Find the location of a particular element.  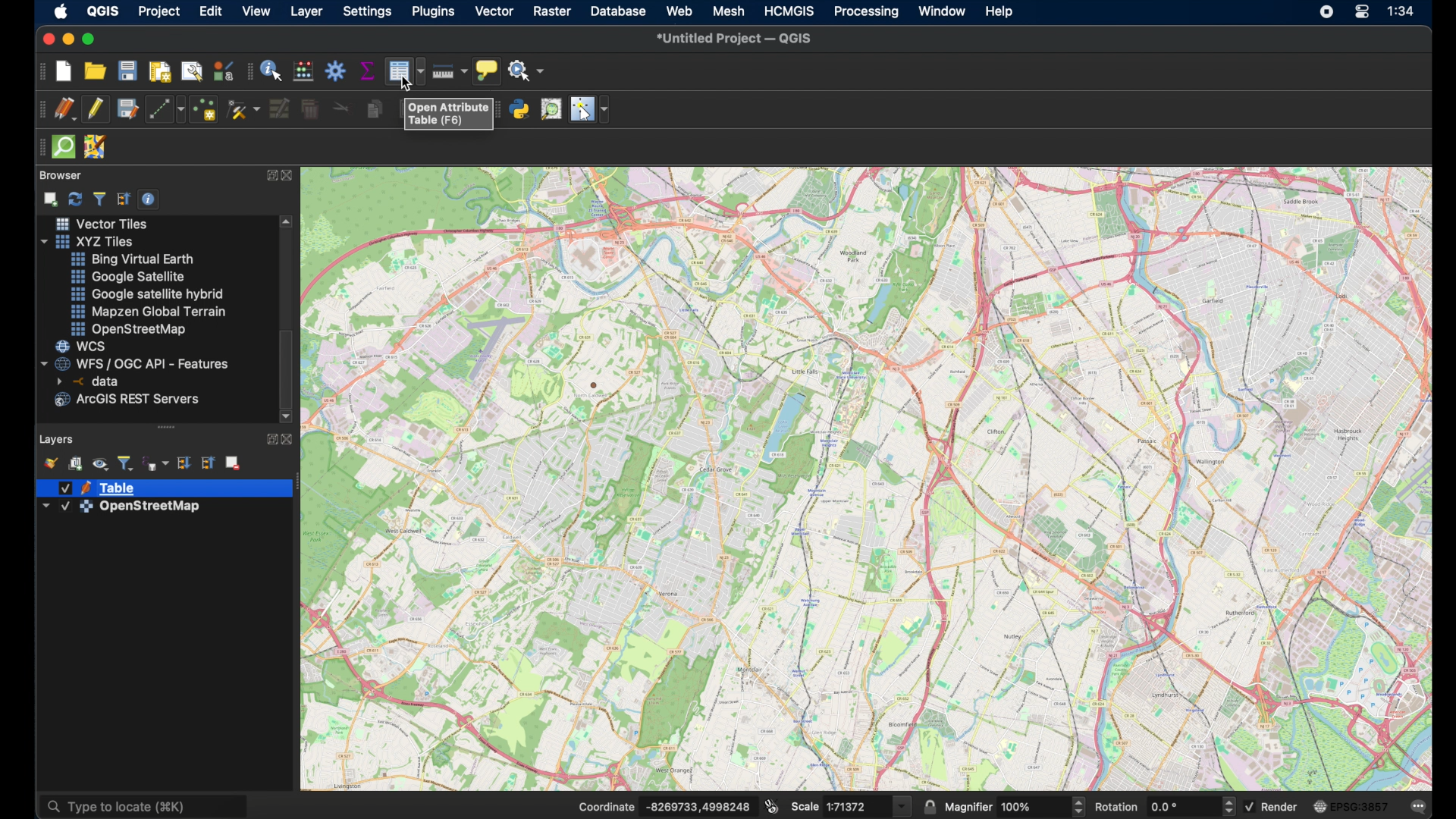

openstreetmap is located at coordinates (866, 480).